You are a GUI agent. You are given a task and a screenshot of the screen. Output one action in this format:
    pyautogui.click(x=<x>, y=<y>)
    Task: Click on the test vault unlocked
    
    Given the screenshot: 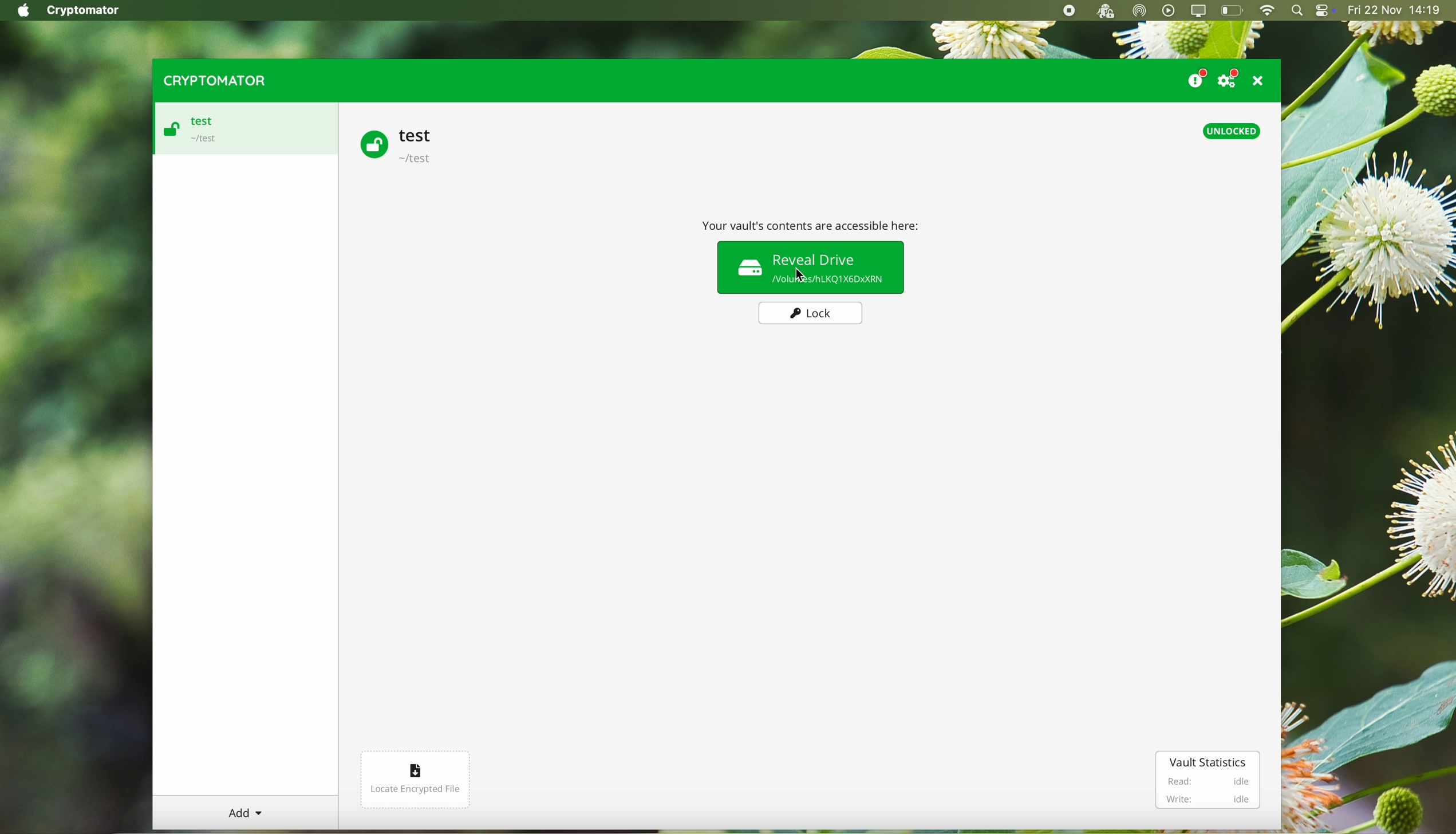 What is the action you would take?
    pyautogui.click(x=397, y=145)
    